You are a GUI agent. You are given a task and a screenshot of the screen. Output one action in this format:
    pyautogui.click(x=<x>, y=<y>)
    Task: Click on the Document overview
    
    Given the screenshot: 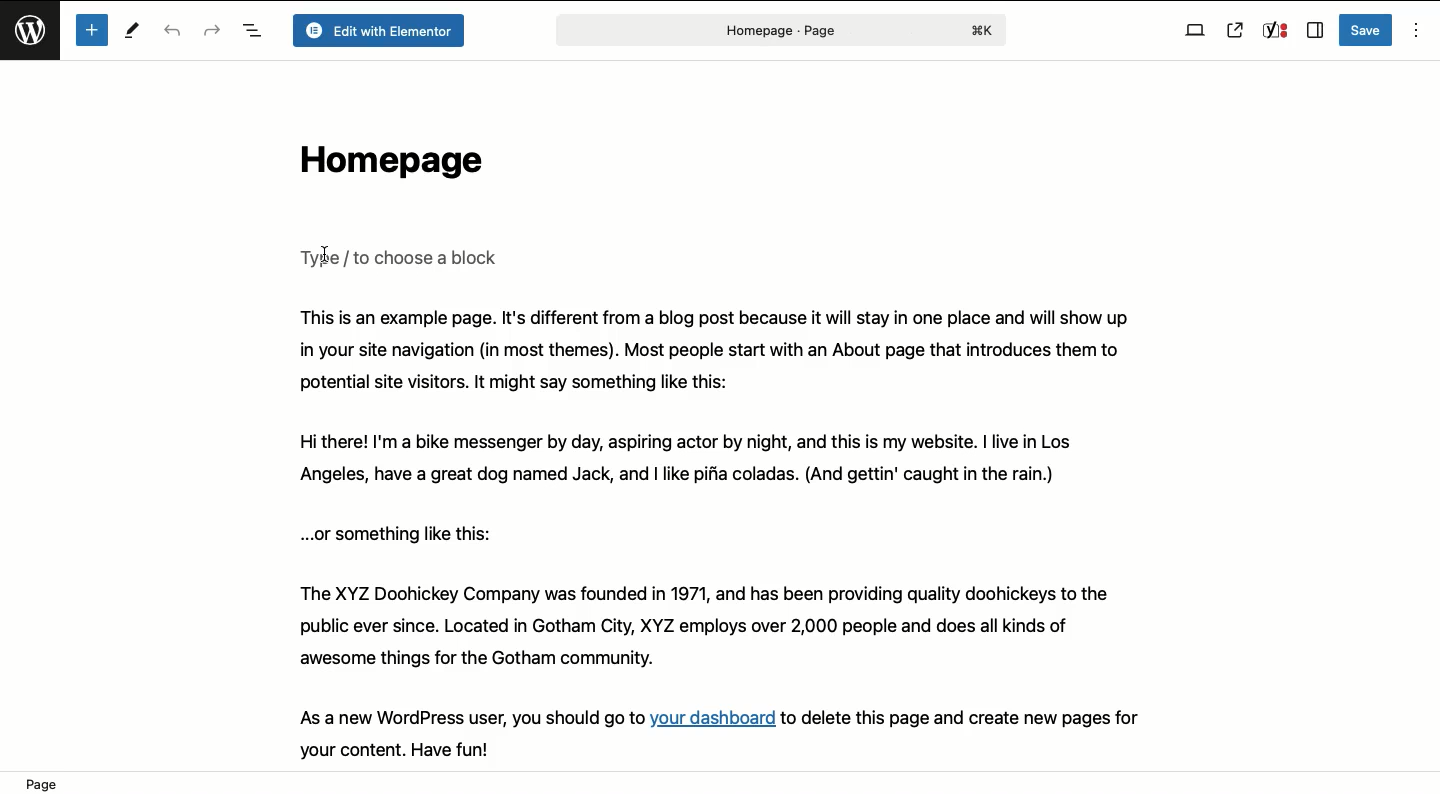 What is the action you would take?
    pyautogui.click(x=252, y=32)
    